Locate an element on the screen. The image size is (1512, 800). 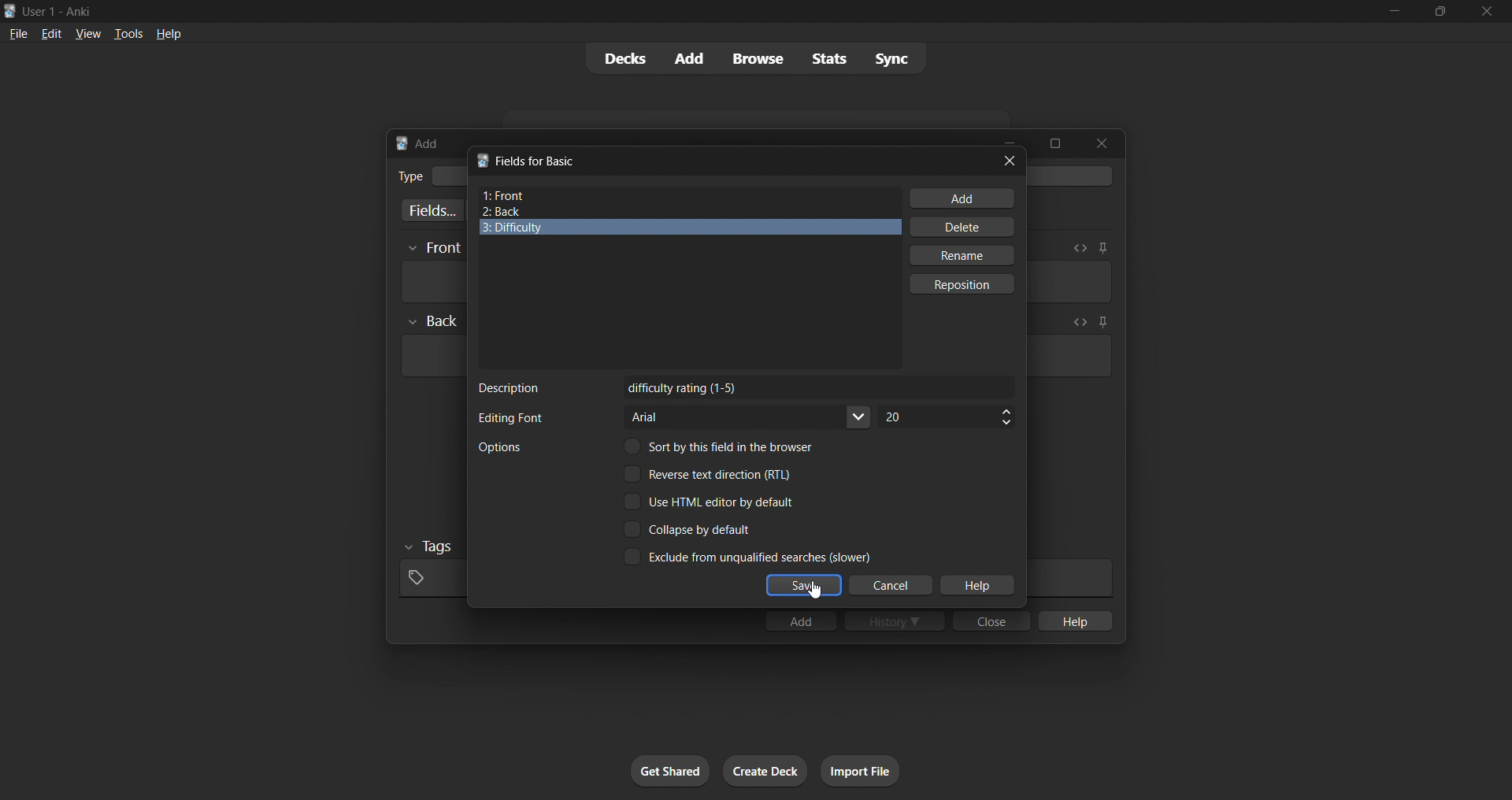
Toggle is located at coordinates (724, 446).